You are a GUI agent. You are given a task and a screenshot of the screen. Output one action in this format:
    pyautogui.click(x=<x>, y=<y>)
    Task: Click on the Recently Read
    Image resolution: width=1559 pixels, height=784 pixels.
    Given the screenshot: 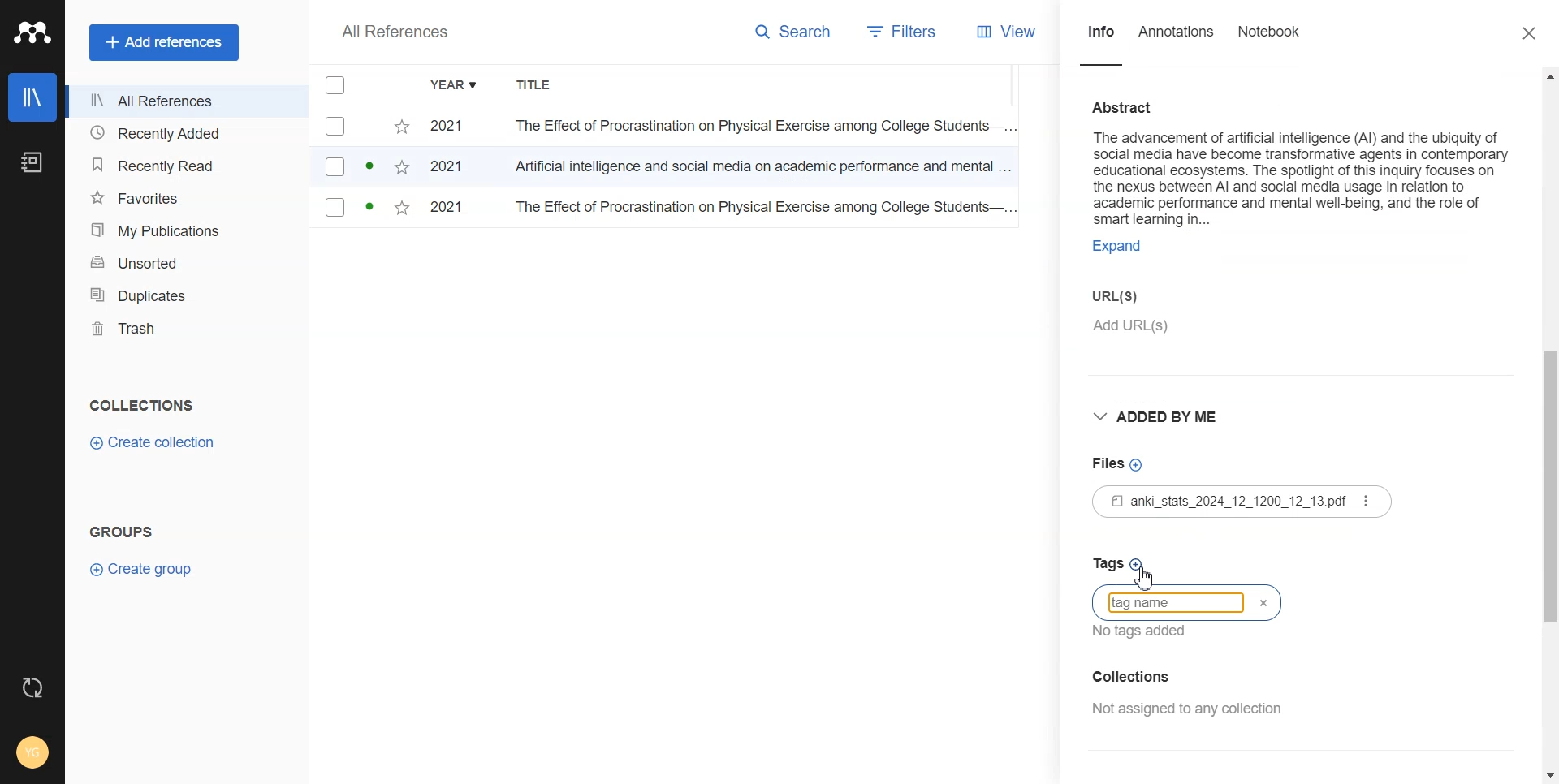 What is the action you would take?
    pyautogui.click(x=184, y=165)
    